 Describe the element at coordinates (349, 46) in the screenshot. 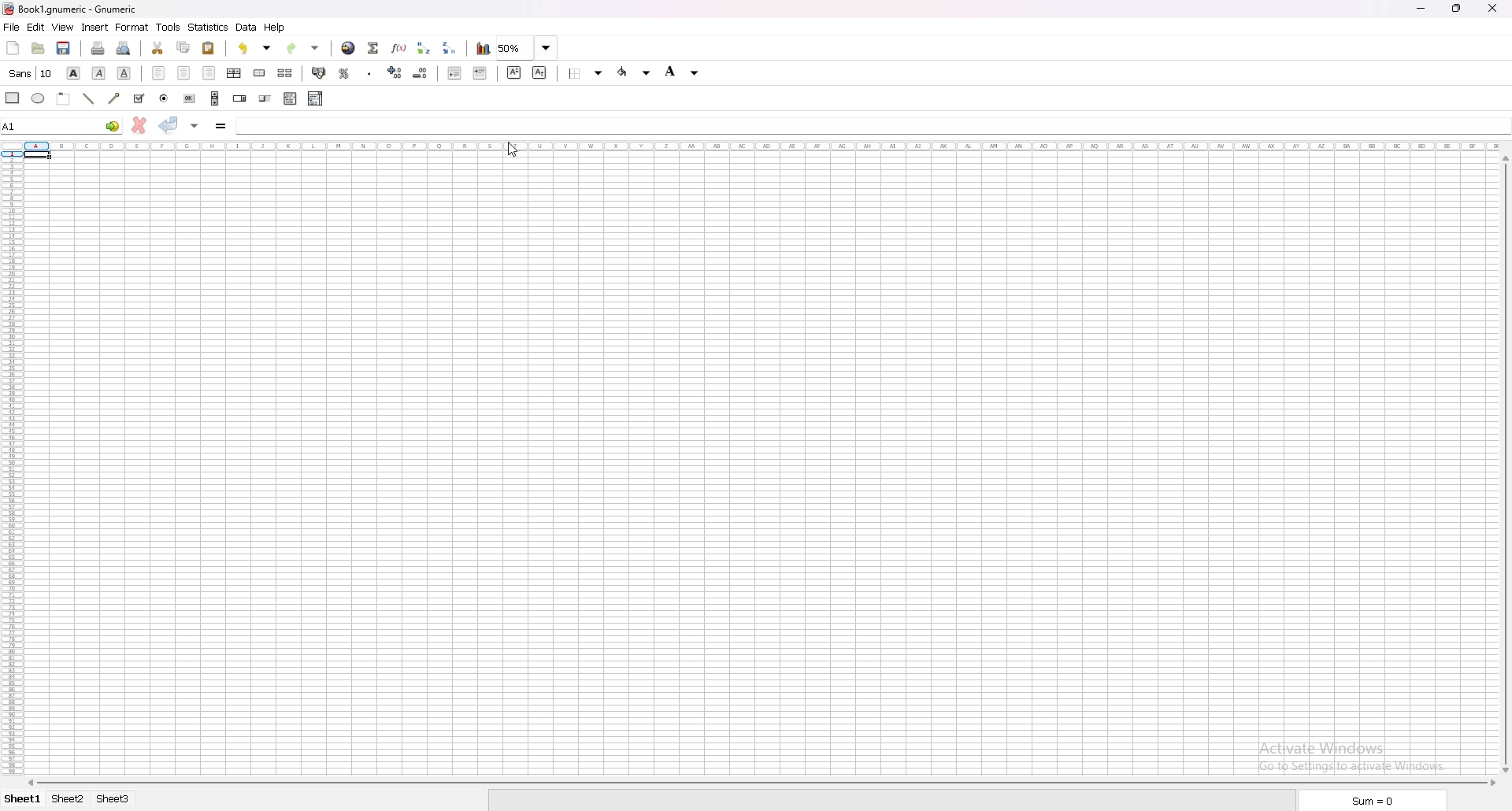

I see `hyperlink` at that location.